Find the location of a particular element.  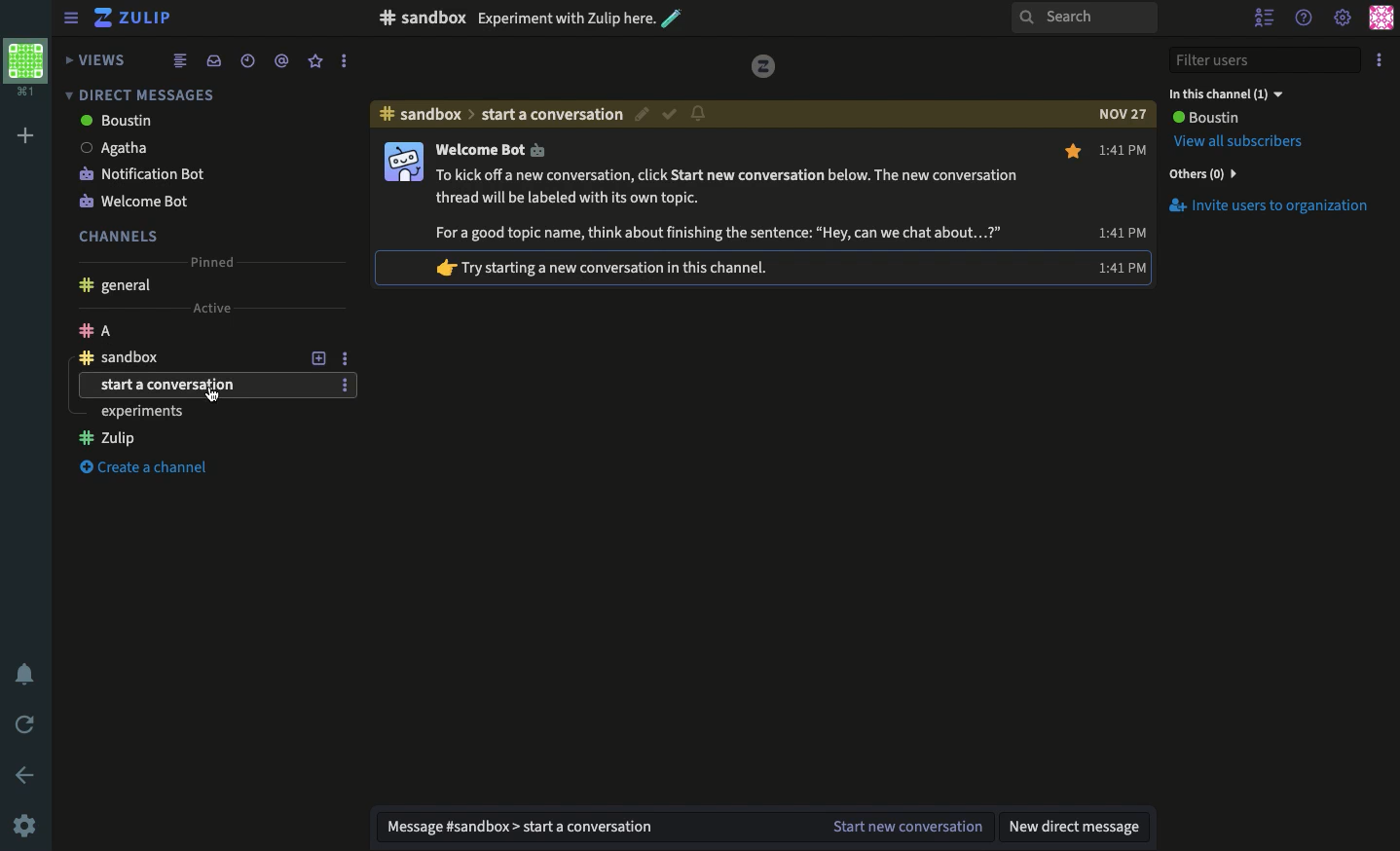

Agatha is located at coordinates (185, 147).